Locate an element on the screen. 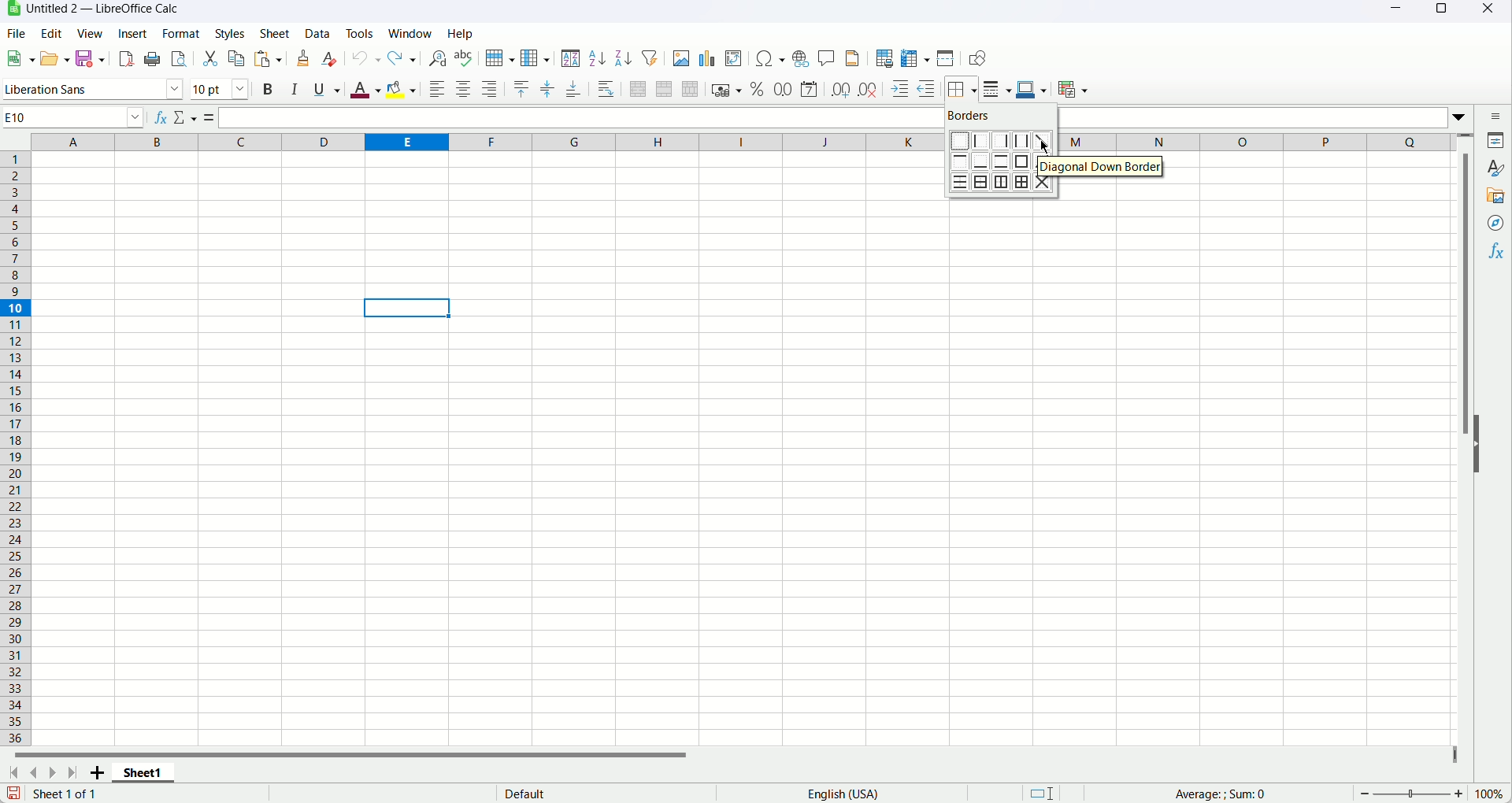 The width and height of the screenshot is (1512, 803). Toggle print preview is located at coordinates (179, 58).